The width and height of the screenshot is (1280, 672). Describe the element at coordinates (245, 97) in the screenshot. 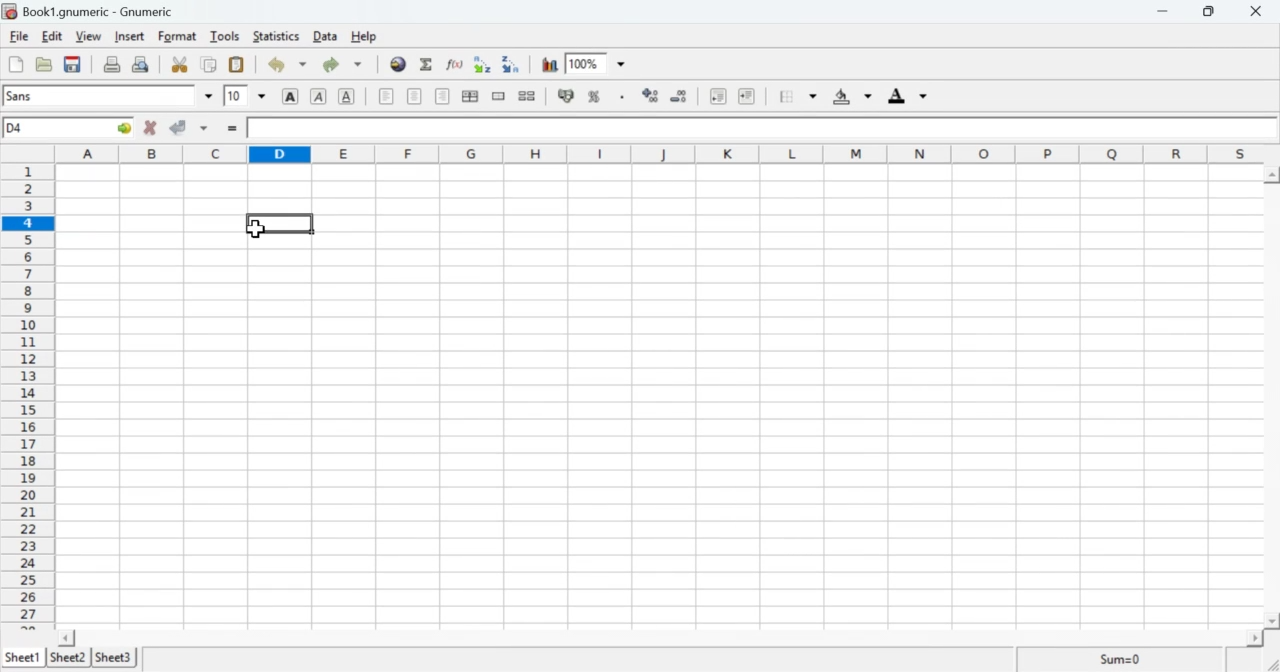

I see `Font size` at that location.